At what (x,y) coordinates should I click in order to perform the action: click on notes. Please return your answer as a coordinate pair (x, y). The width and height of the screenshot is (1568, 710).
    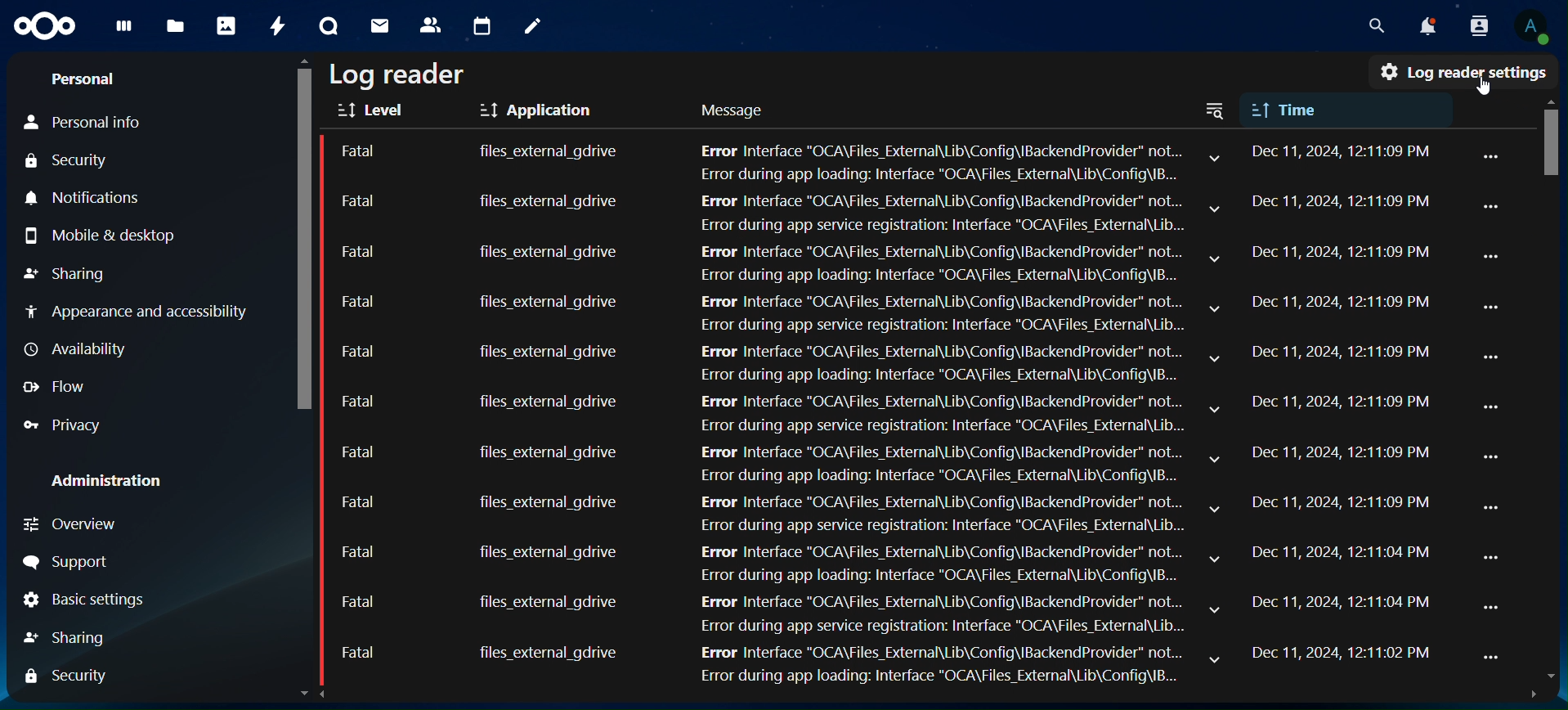
    Looking at the image, I should click on (533, 25).